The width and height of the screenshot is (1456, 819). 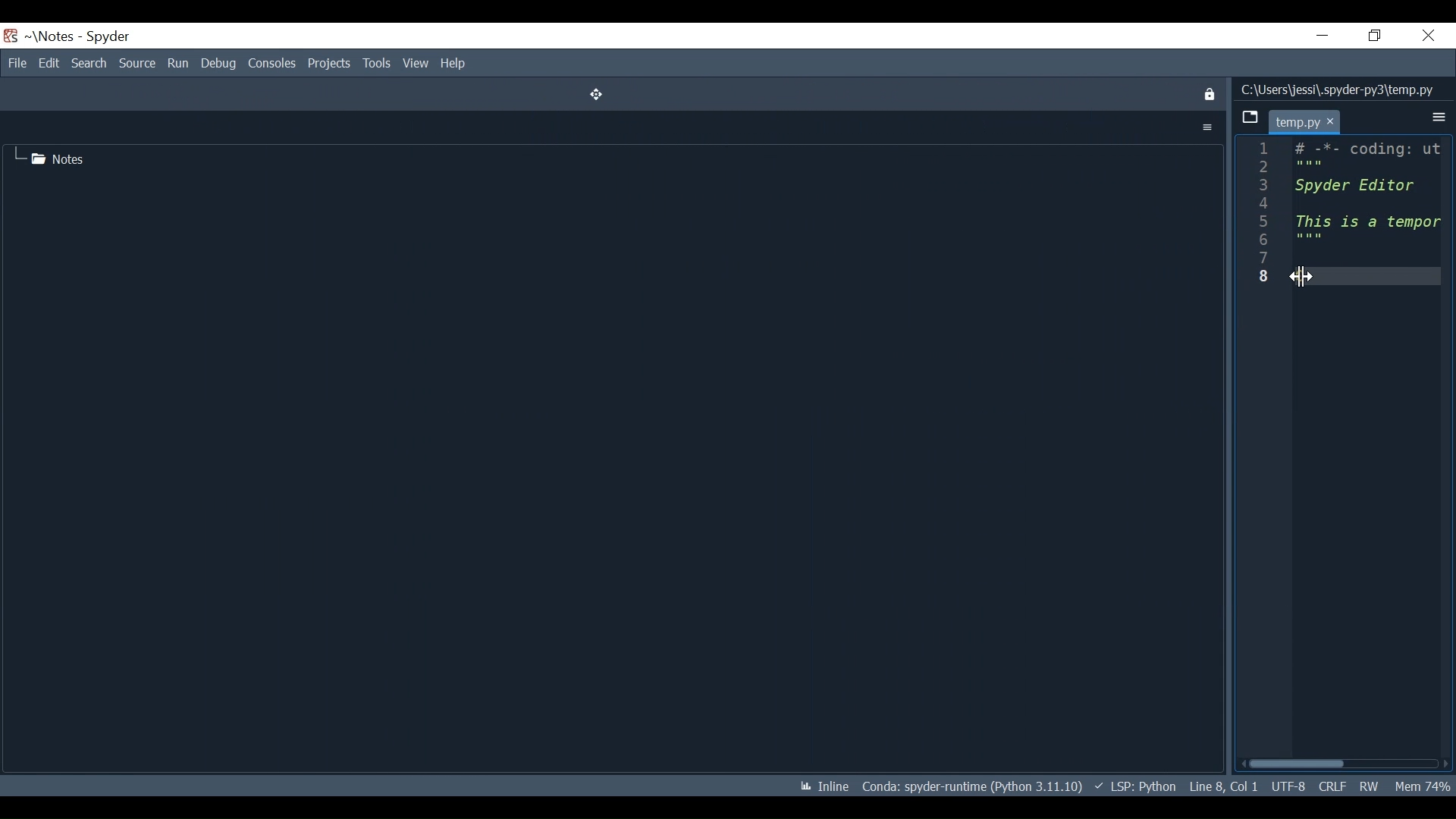 I want to click on Restore, so click(x=1375, y=35).